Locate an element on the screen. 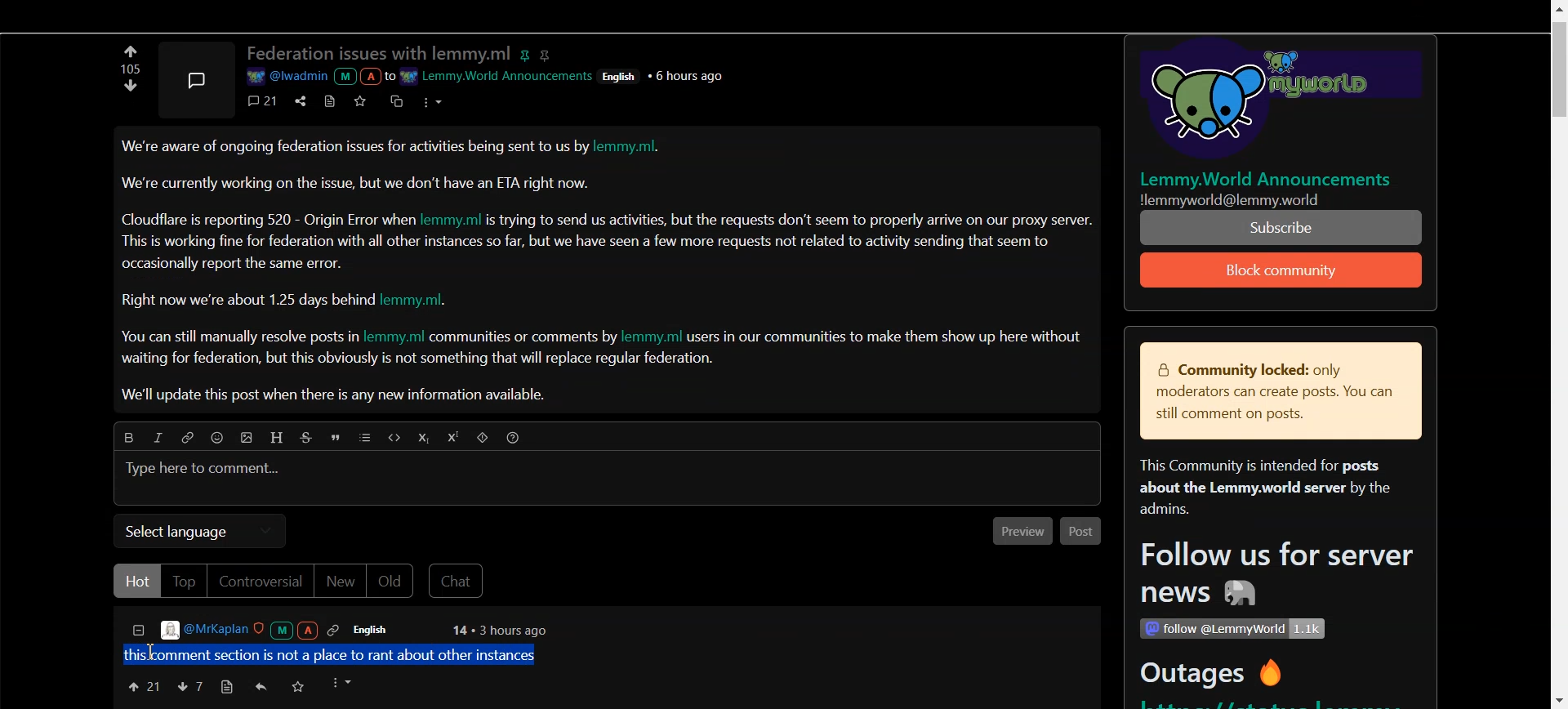  Quote is located at coordinates (338, 439).